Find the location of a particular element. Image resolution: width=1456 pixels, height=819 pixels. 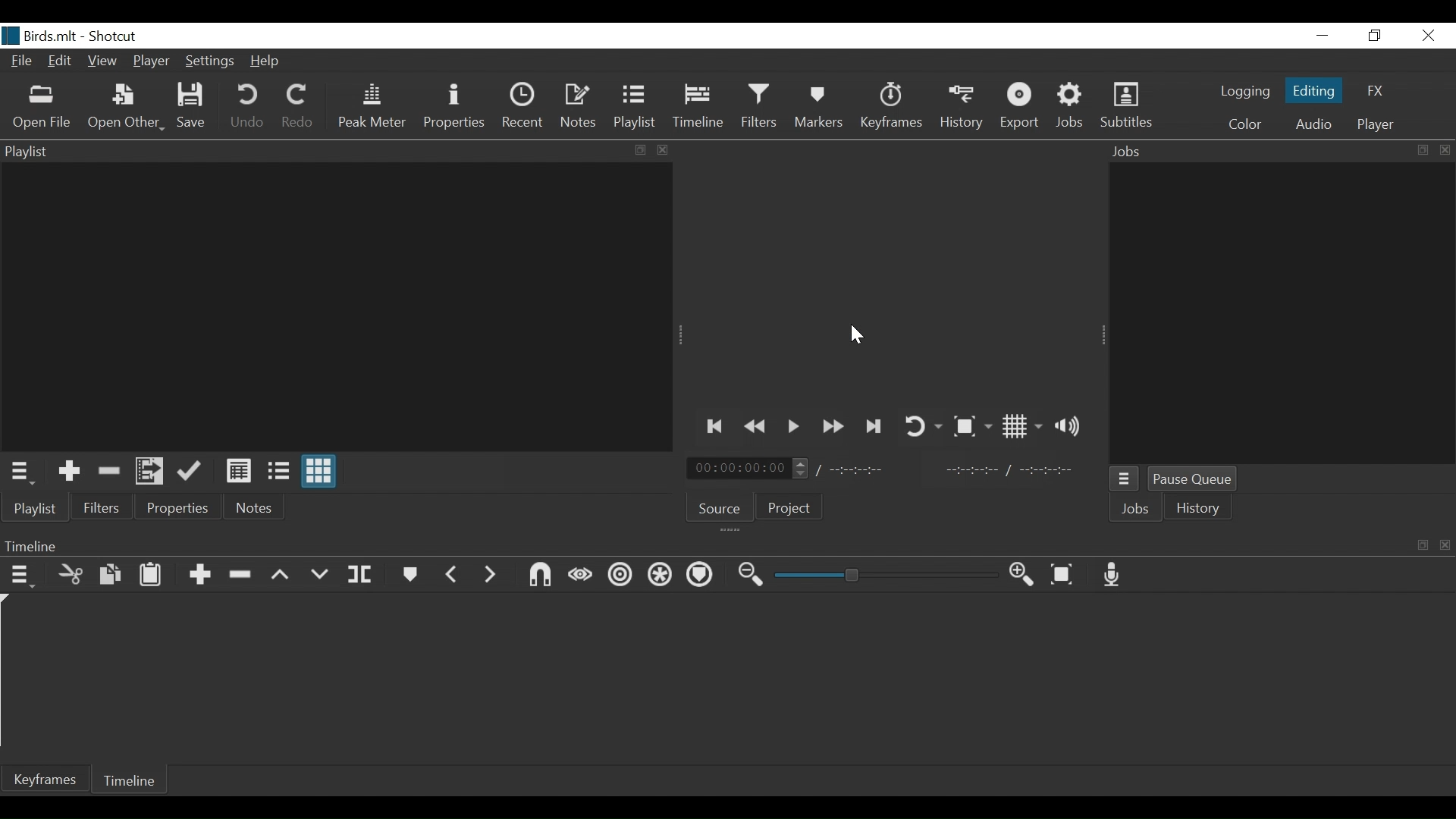

Toggle display grid on player is located at coordinates (1022, 426).